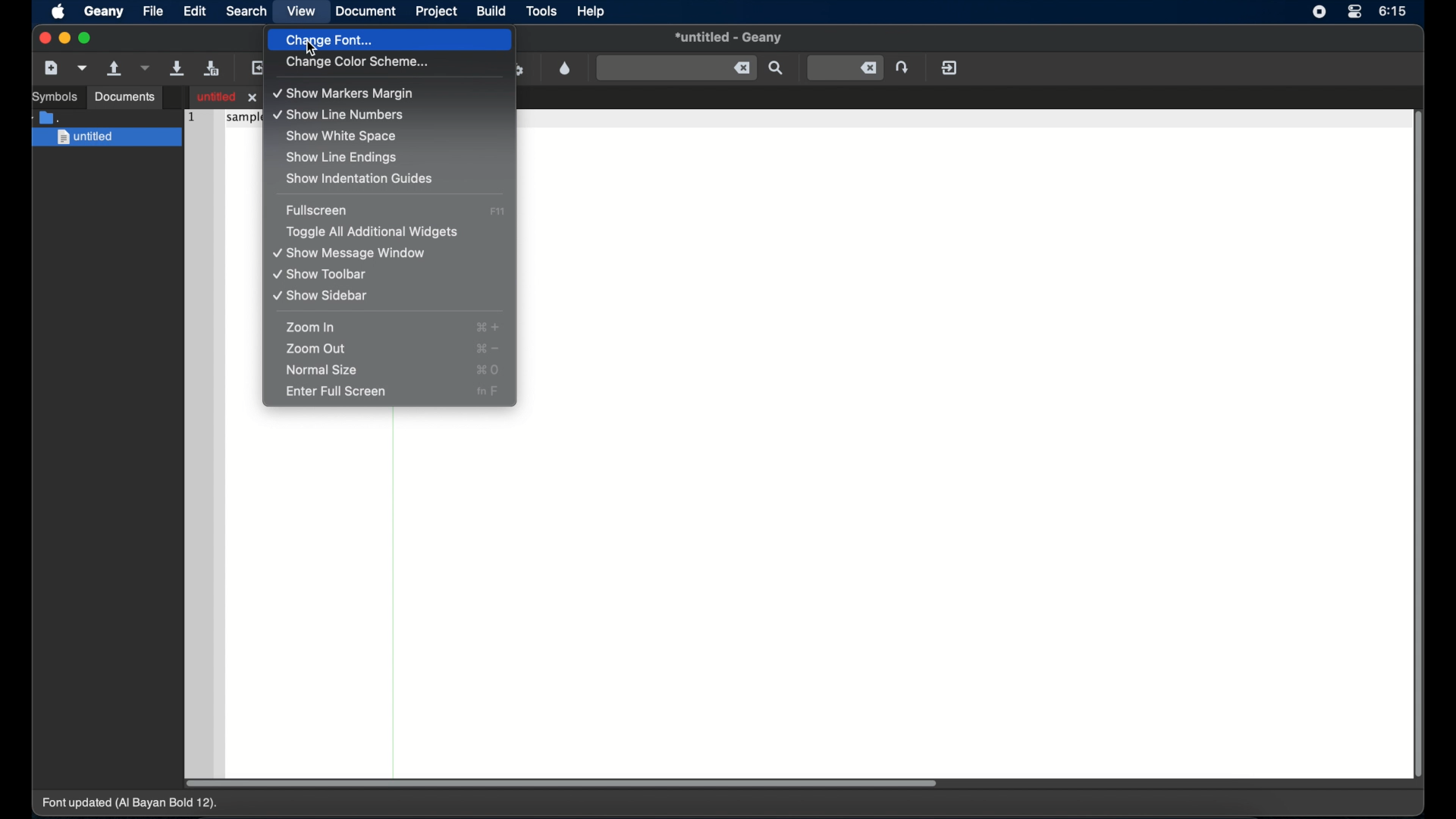  What do you see at coordinates (324, 371) in the screenshot?
I see `normal size` at bounding box center [324, 371].